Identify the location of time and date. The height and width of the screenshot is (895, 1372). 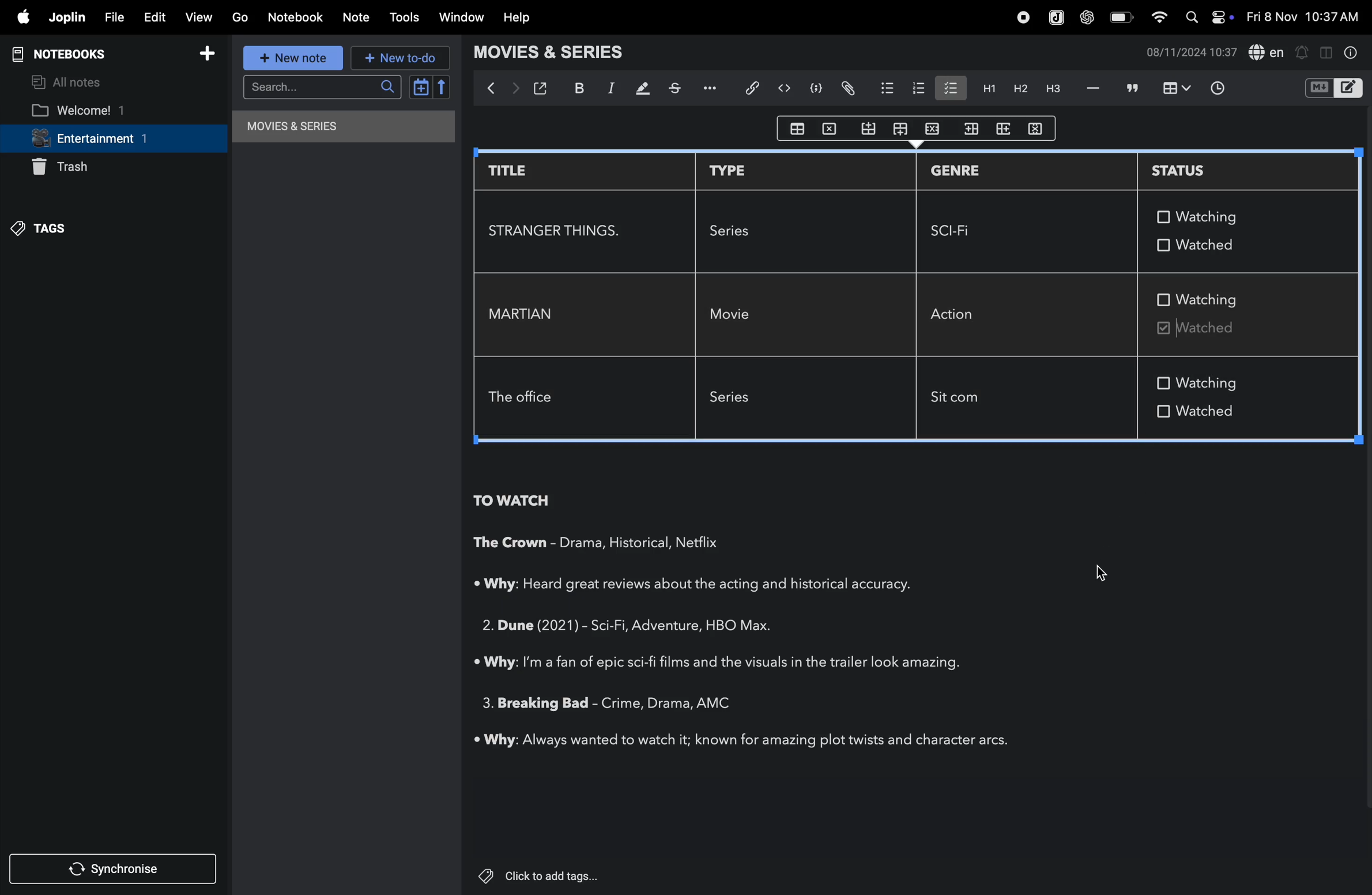
(1188, 52).